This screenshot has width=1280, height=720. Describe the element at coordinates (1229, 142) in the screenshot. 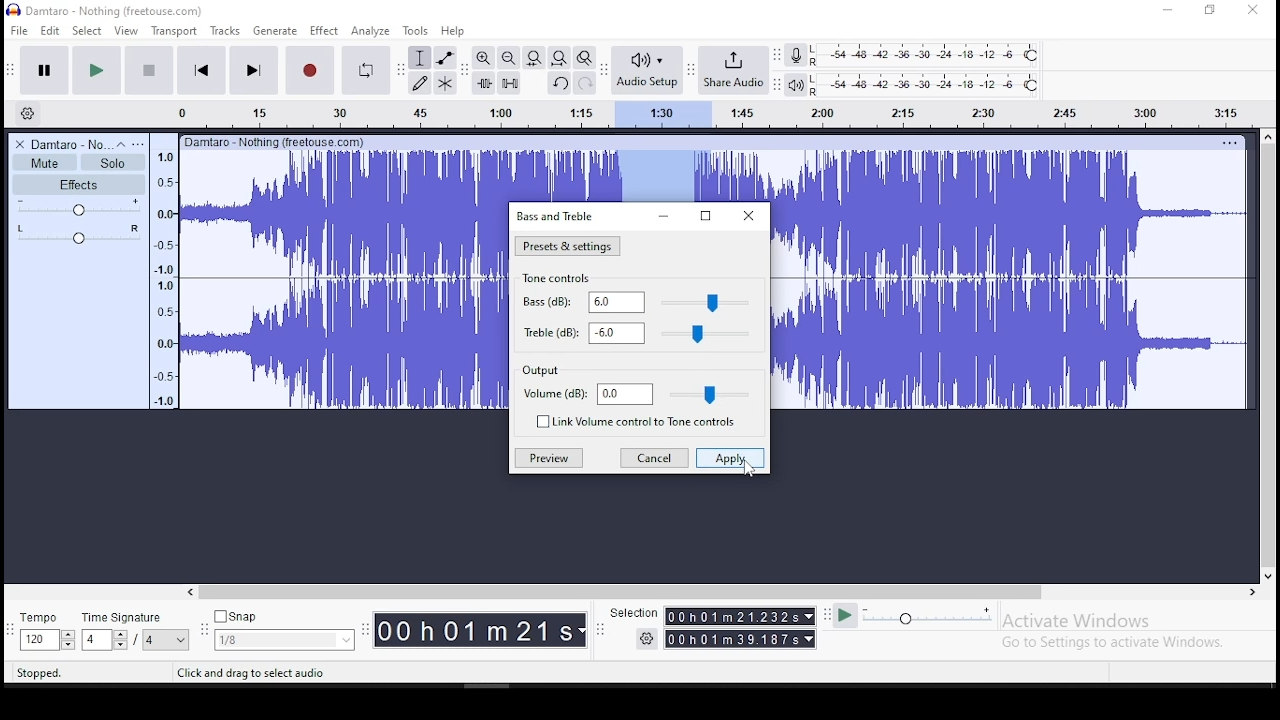

I see `` at that location.